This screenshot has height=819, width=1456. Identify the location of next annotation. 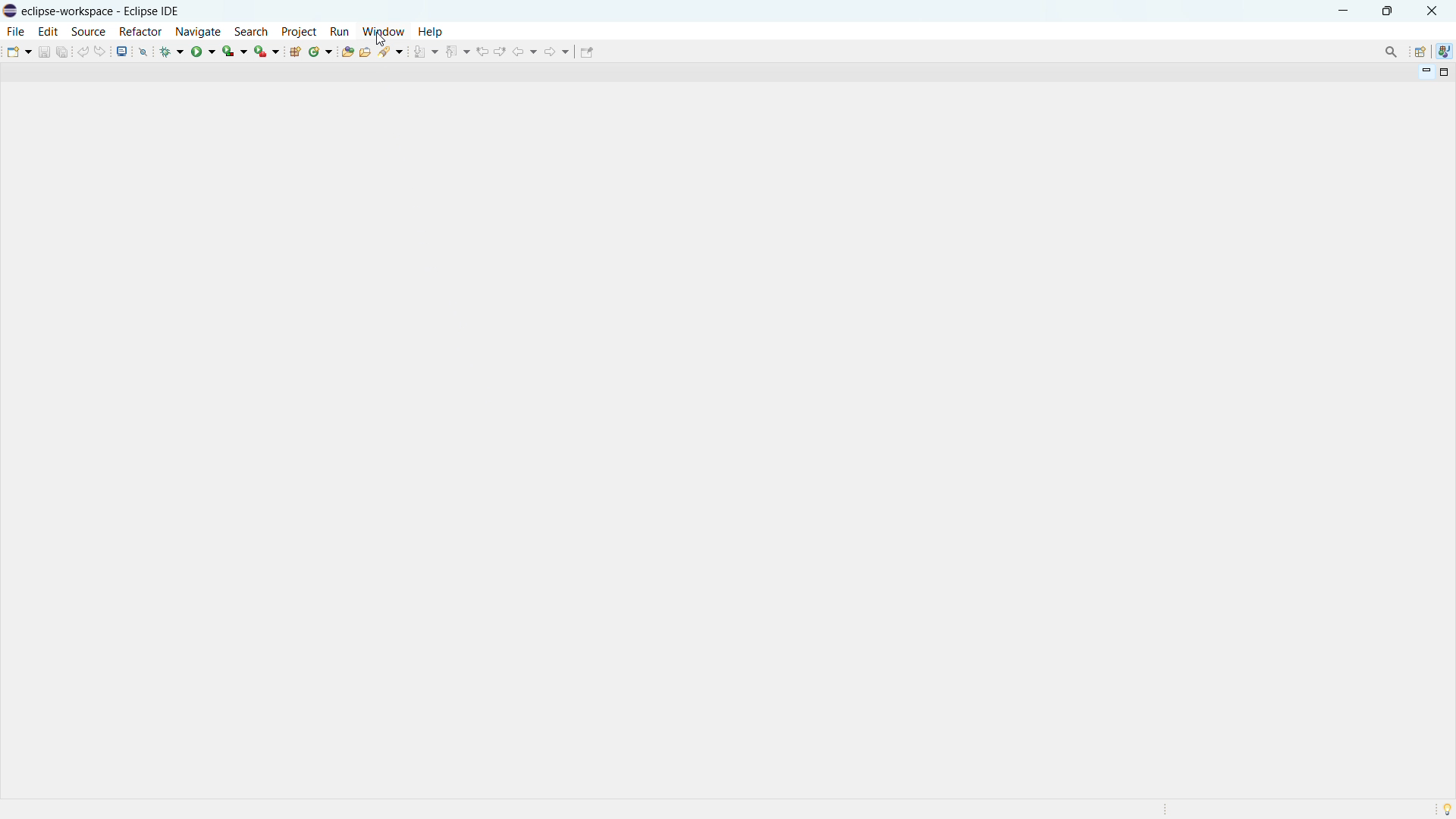
(426, 52).